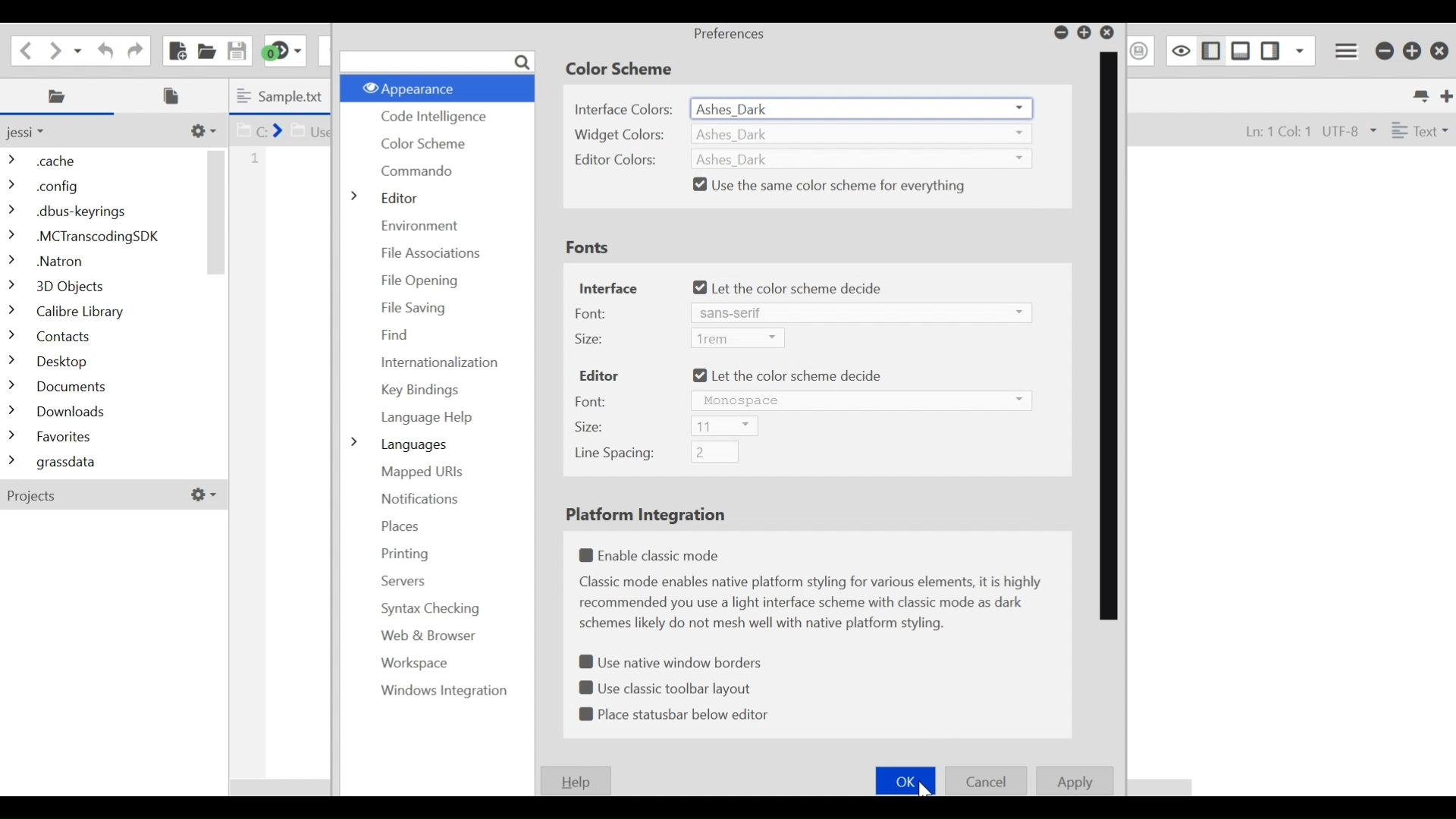 The image size is (1456, 819). I want to click on Redo, so click(133, 49).